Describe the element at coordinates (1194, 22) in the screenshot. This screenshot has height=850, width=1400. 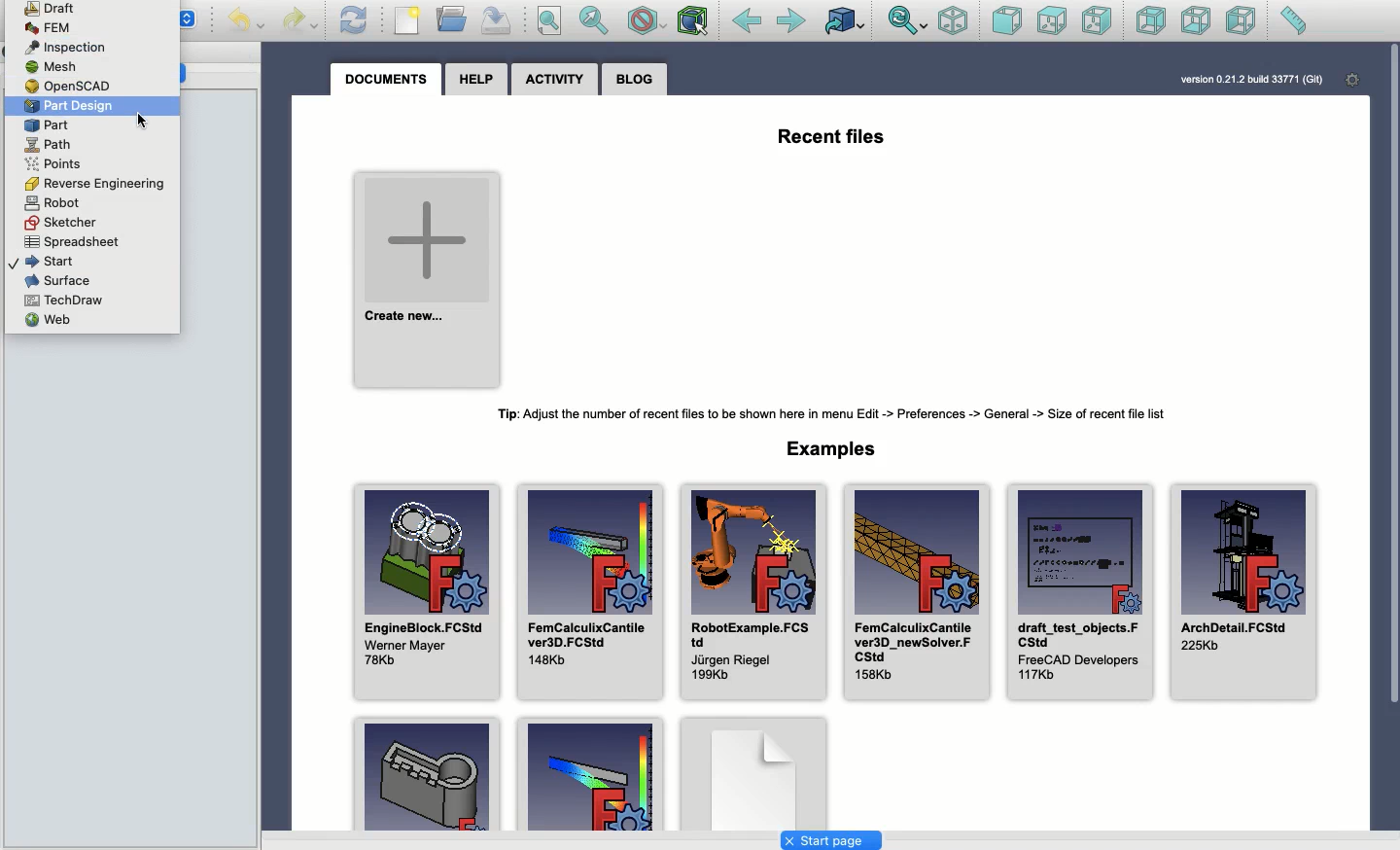
I see `Bottom` at that location.